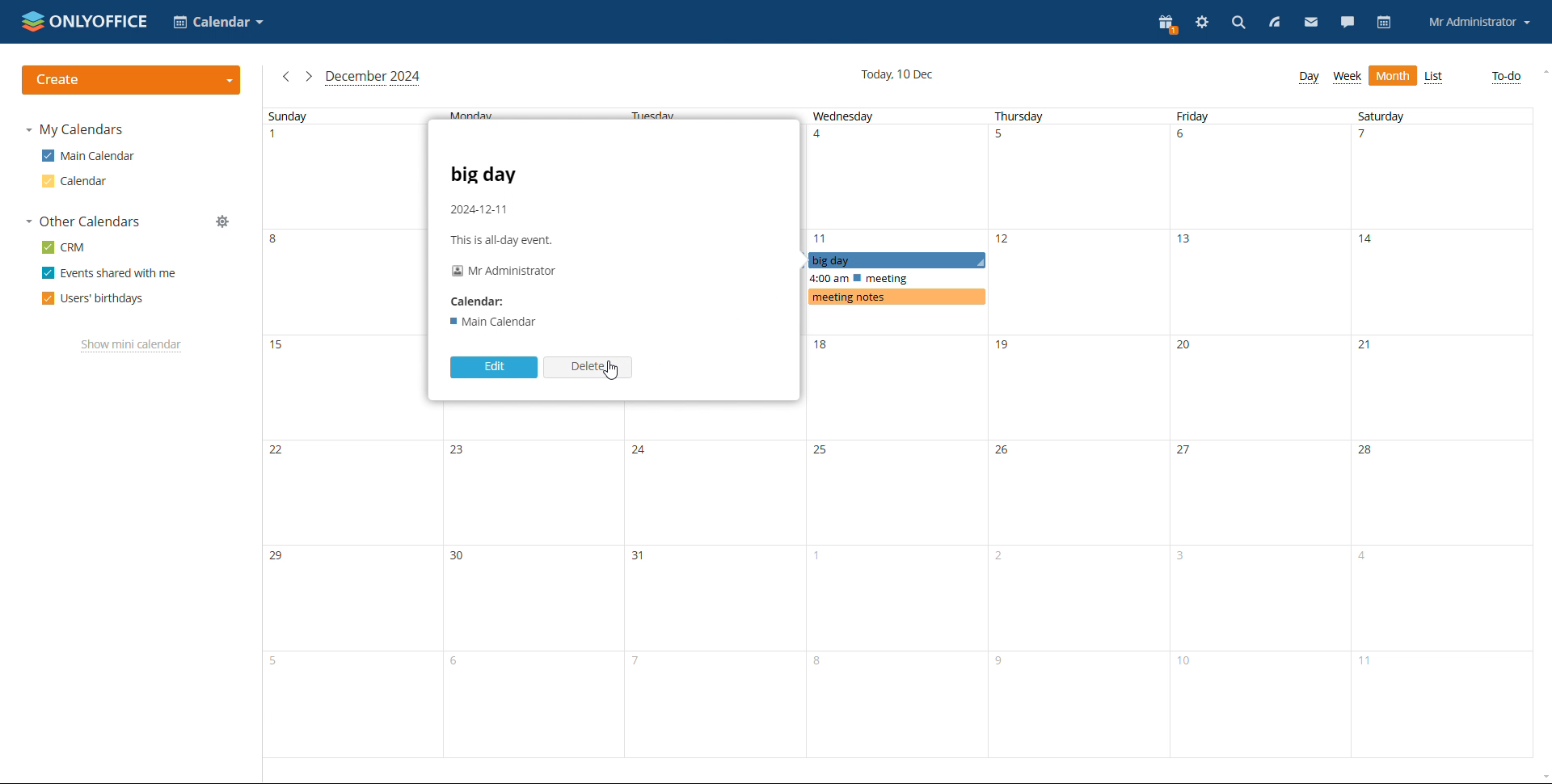  I want to click on settings, so click(1203, 22).